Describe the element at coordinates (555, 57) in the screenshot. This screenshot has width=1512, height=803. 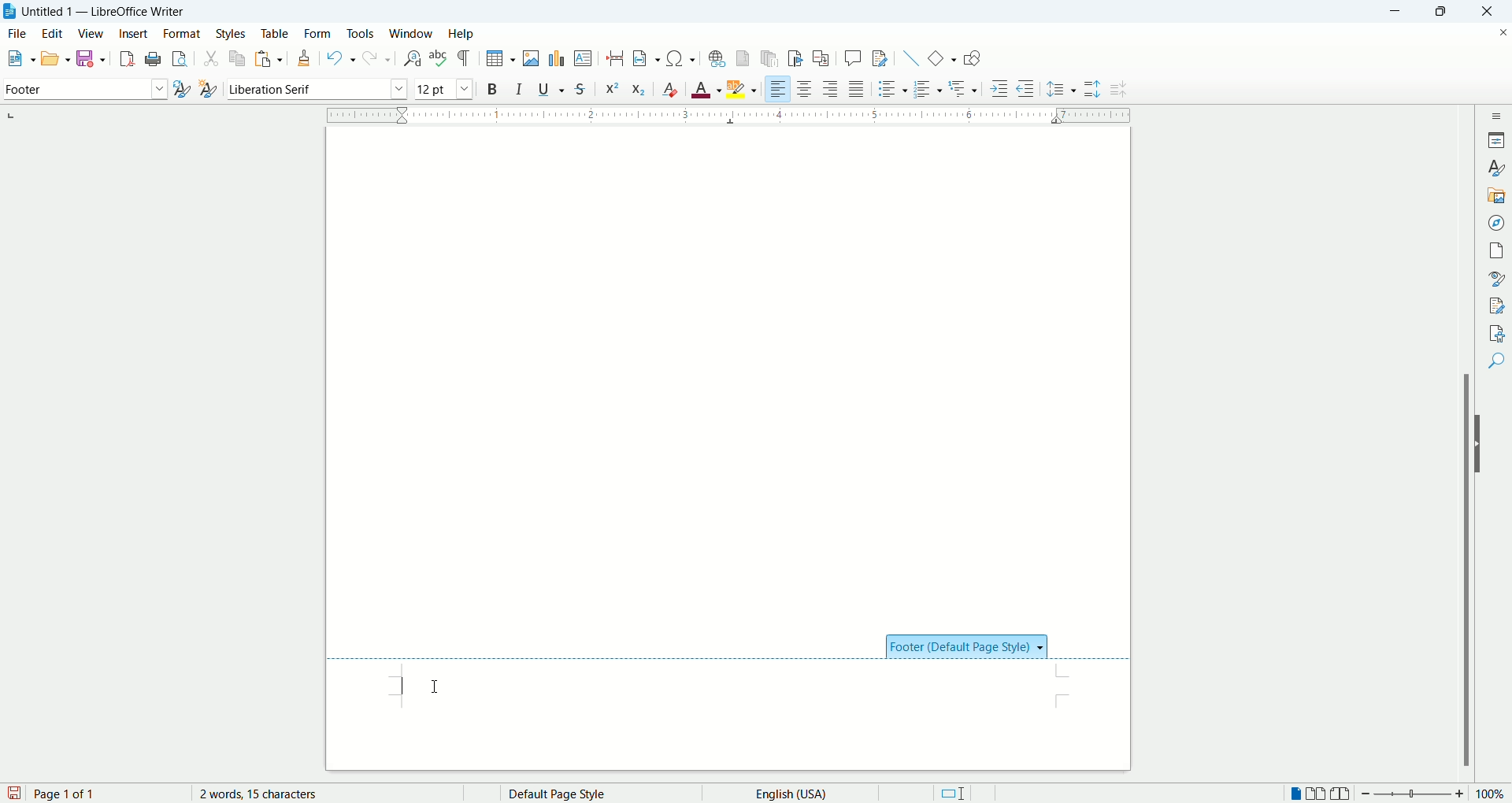
I see `insert chart` at that location.